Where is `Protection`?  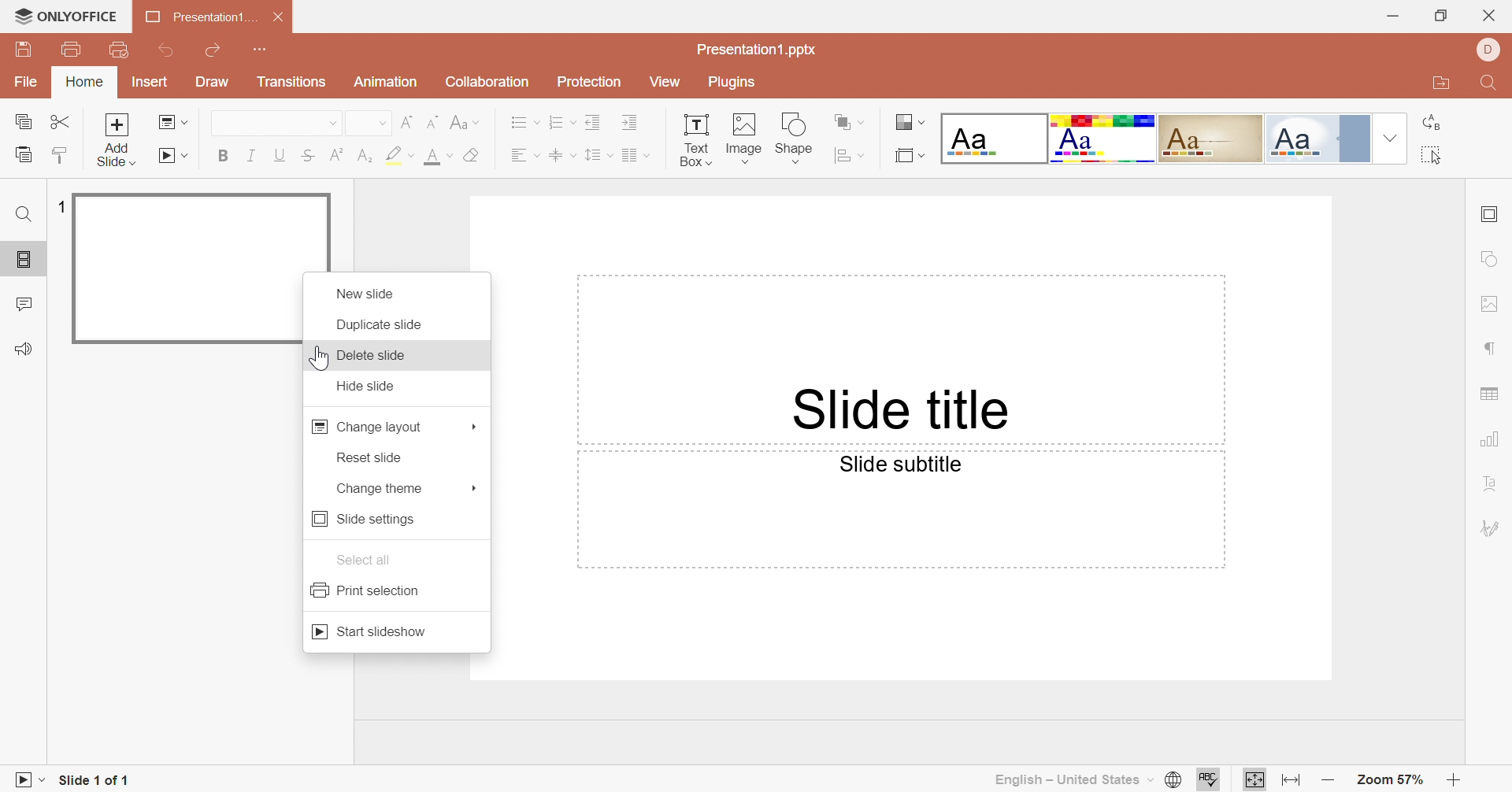 Protection is located at coordinates (589, 81).